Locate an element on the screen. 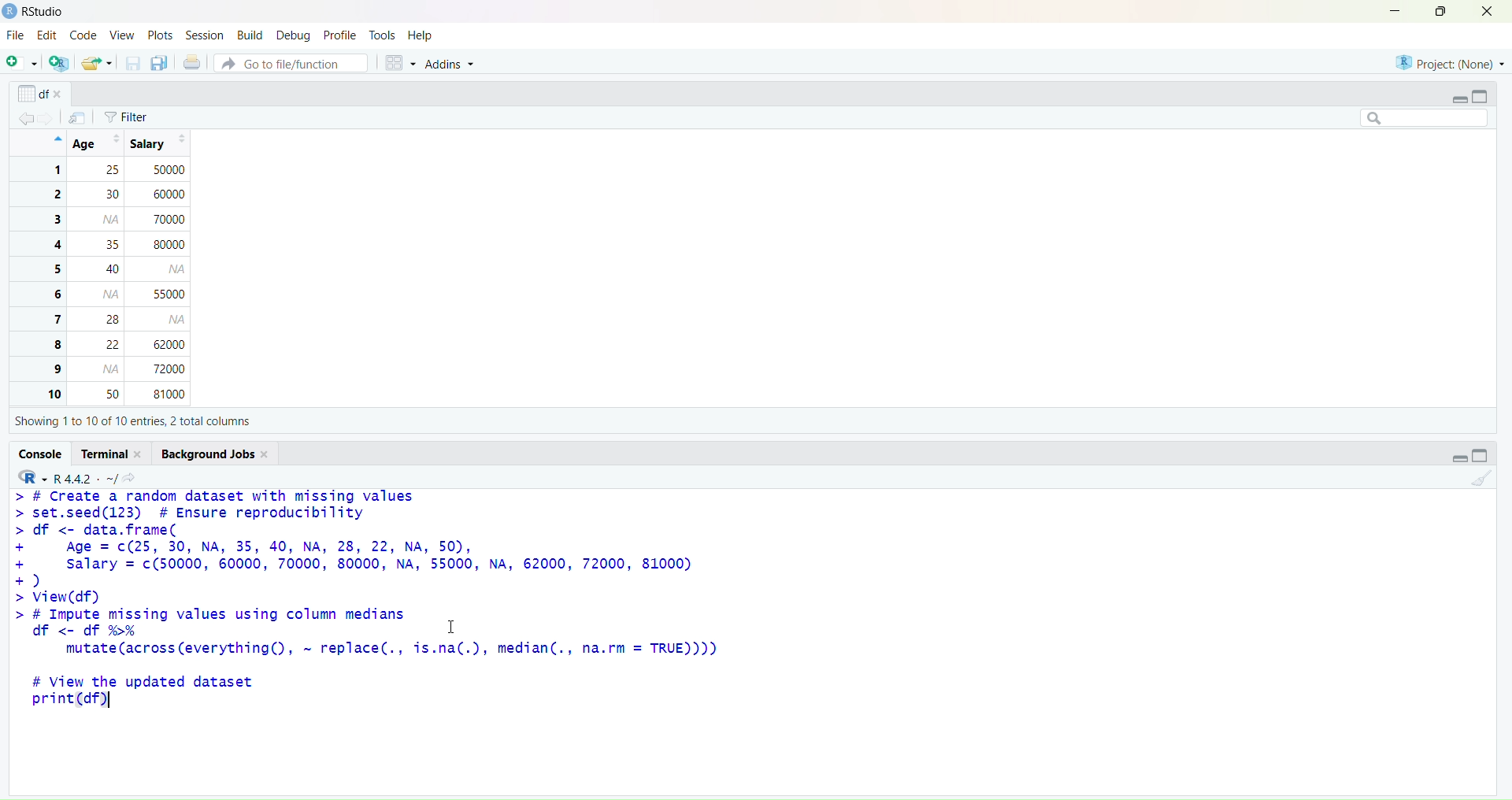 This screenshot has height=800, width=1512. Rstudio is located at coordinates (35, 11).